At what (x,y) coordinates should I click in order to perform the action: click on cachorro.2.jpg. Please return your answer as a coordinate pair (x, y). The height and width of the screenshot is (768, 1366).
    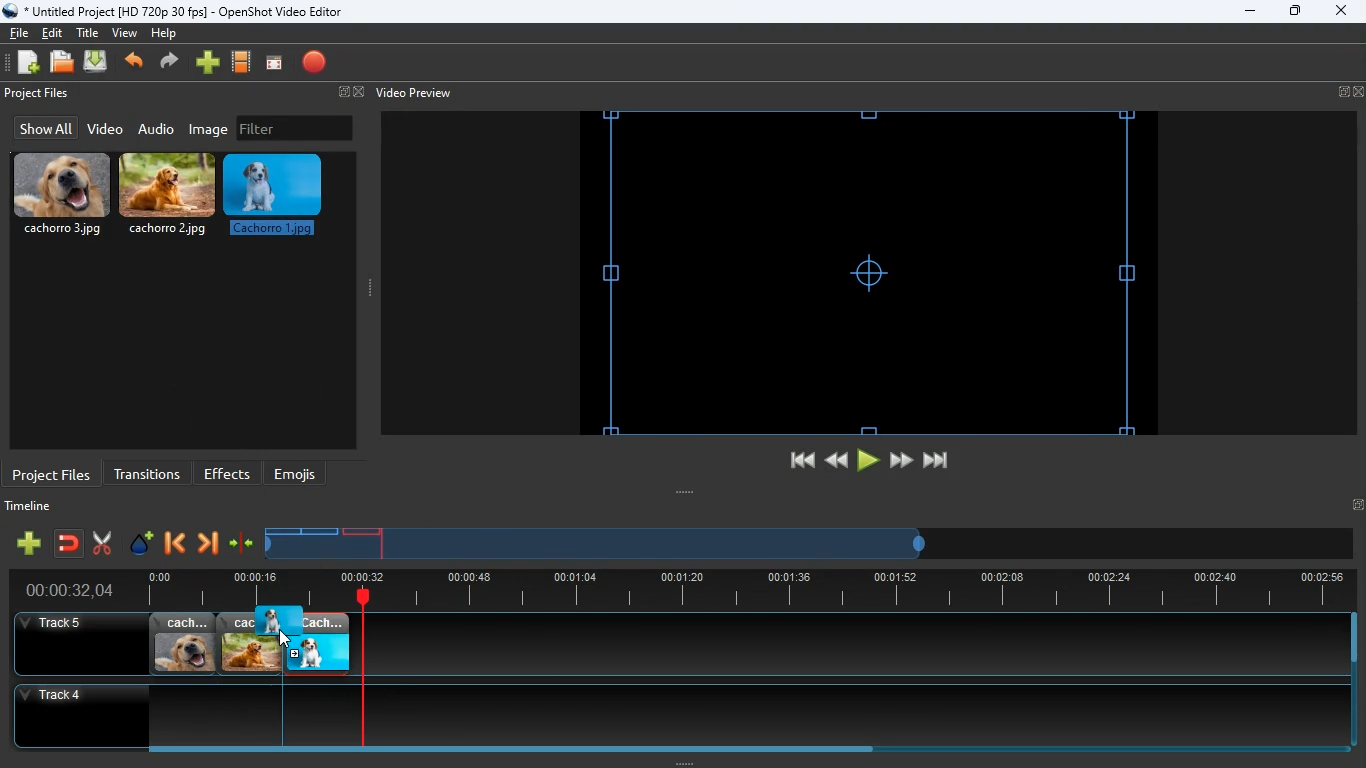
    Looking at the image, I should click on (250, 644).